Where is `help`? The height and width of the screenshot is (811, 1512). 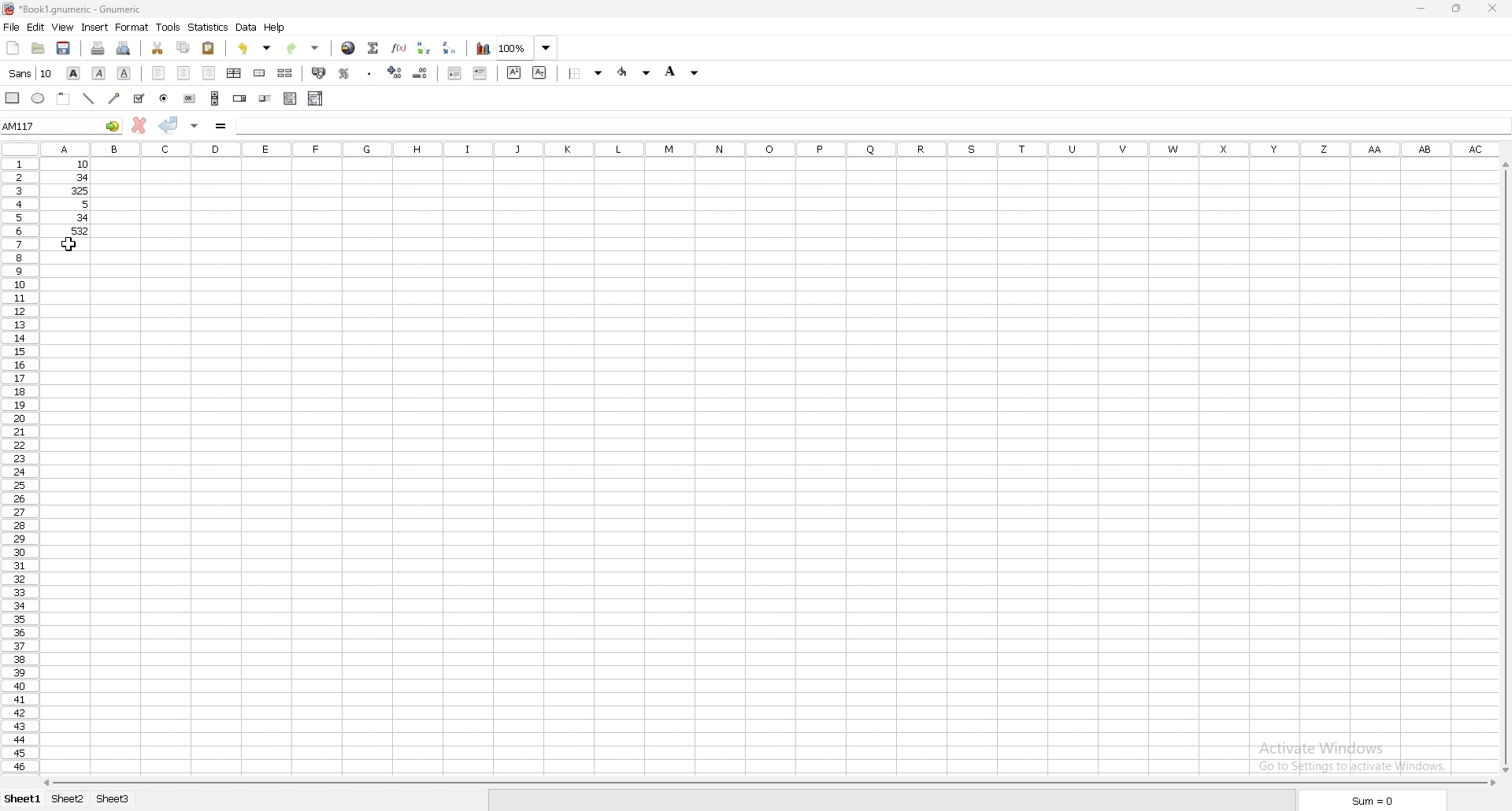
help is located at coordinates (276, 28).